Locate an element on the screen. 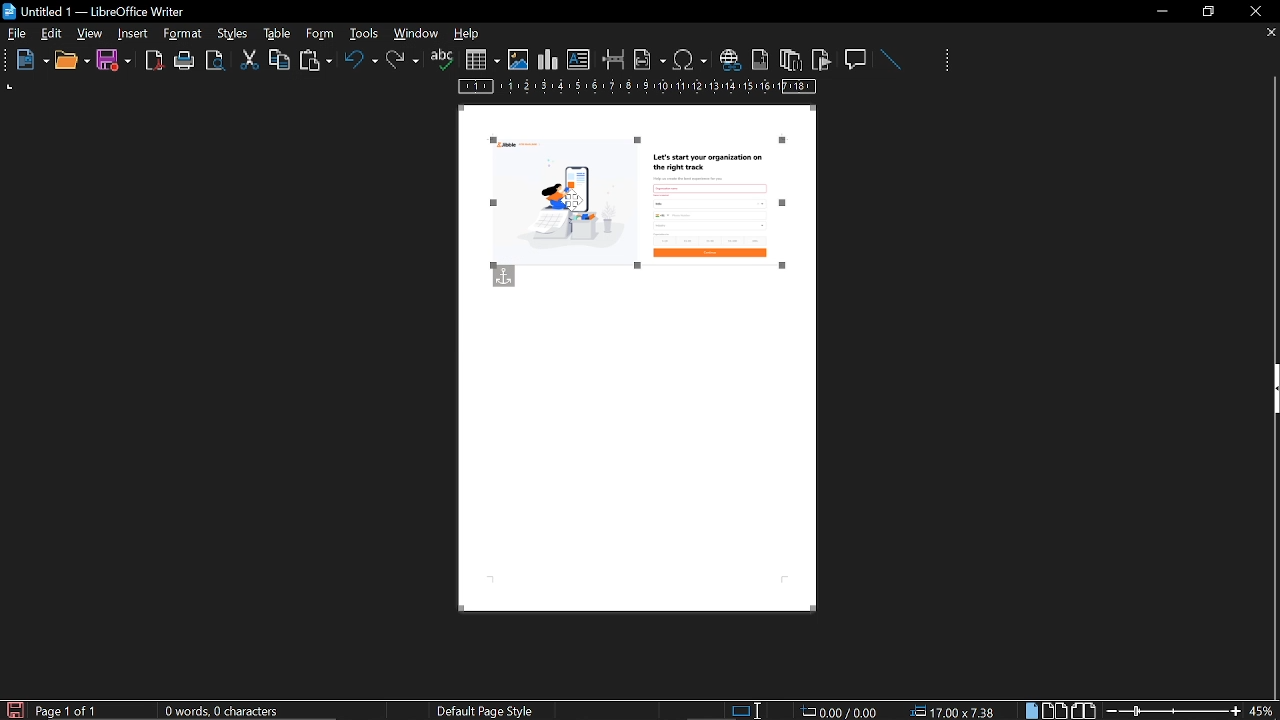 This screenshot has height=720, width=1280. file is located at coordinates (17, 35).